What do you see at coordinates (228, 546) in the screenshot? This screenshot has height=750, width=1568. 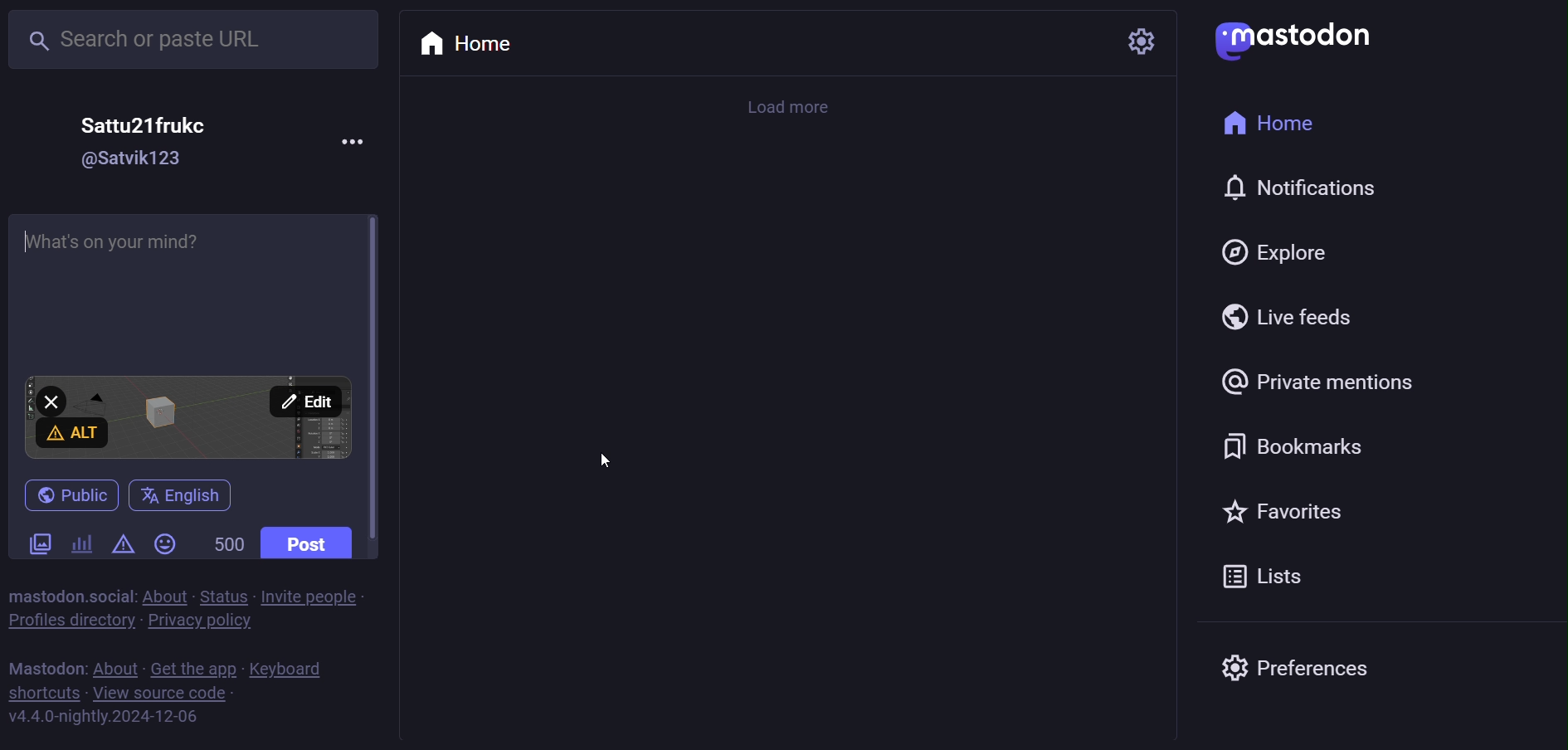 I see `word limit` at bounding box center [228, 546].